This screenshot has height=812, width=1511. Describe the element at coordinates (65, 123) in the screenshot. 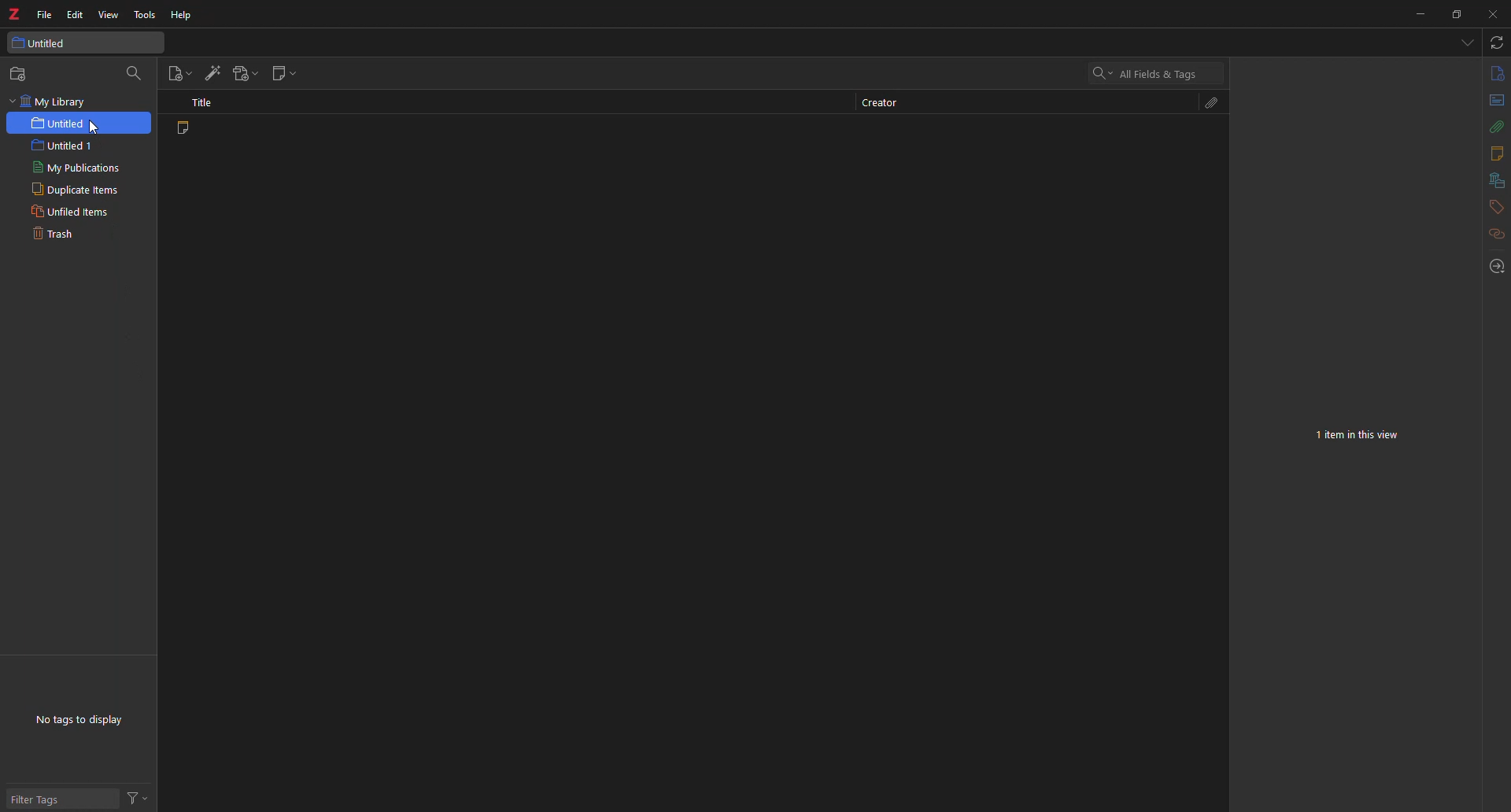

I see `untitled` at that location.